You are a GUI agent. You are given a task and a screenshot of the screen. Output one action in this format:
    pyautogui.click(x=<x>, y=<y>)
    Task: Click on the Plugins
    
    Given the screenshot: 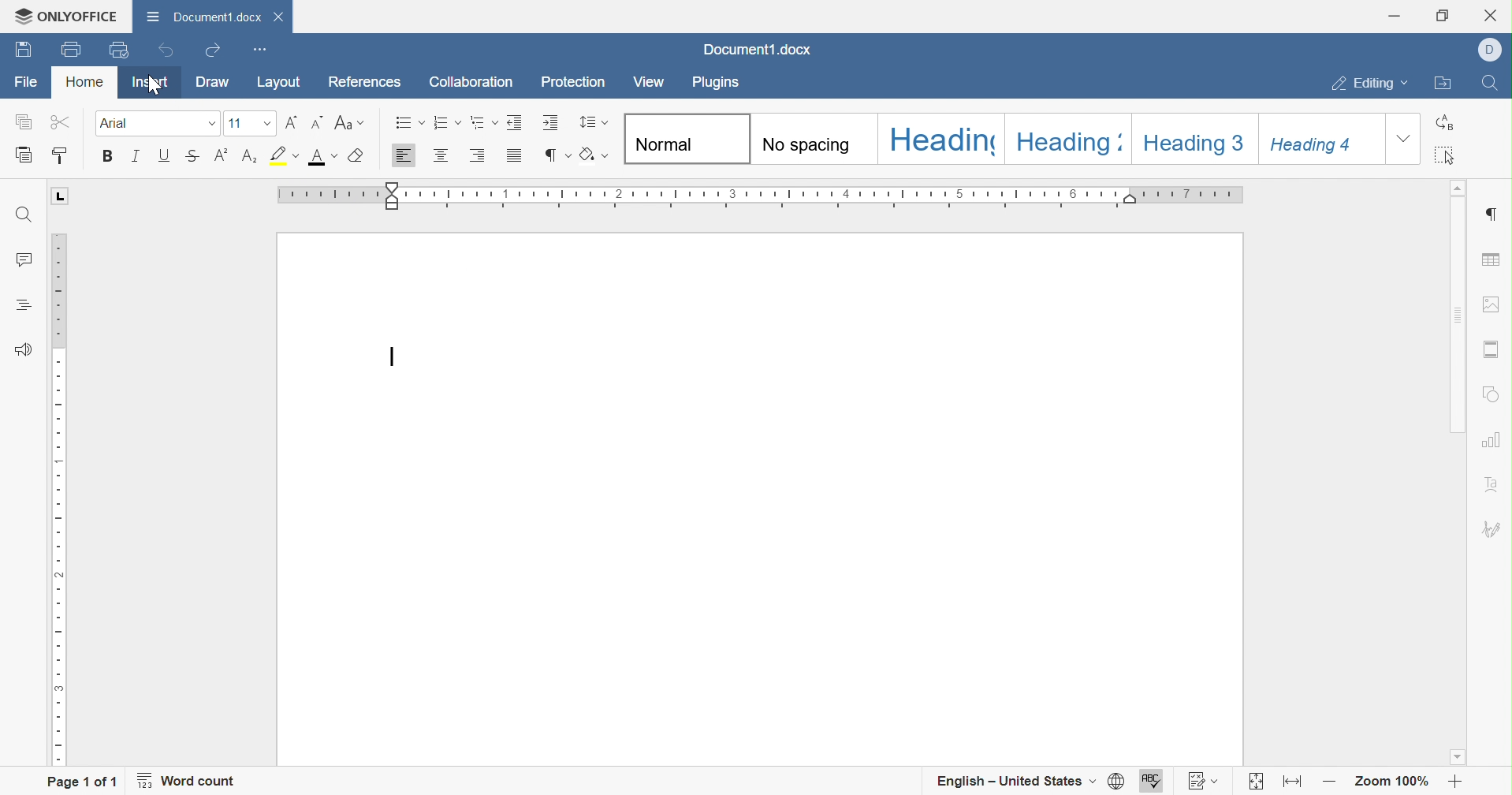 What is the action you would take?
    pyautogui.click(x=721, y=80)
    